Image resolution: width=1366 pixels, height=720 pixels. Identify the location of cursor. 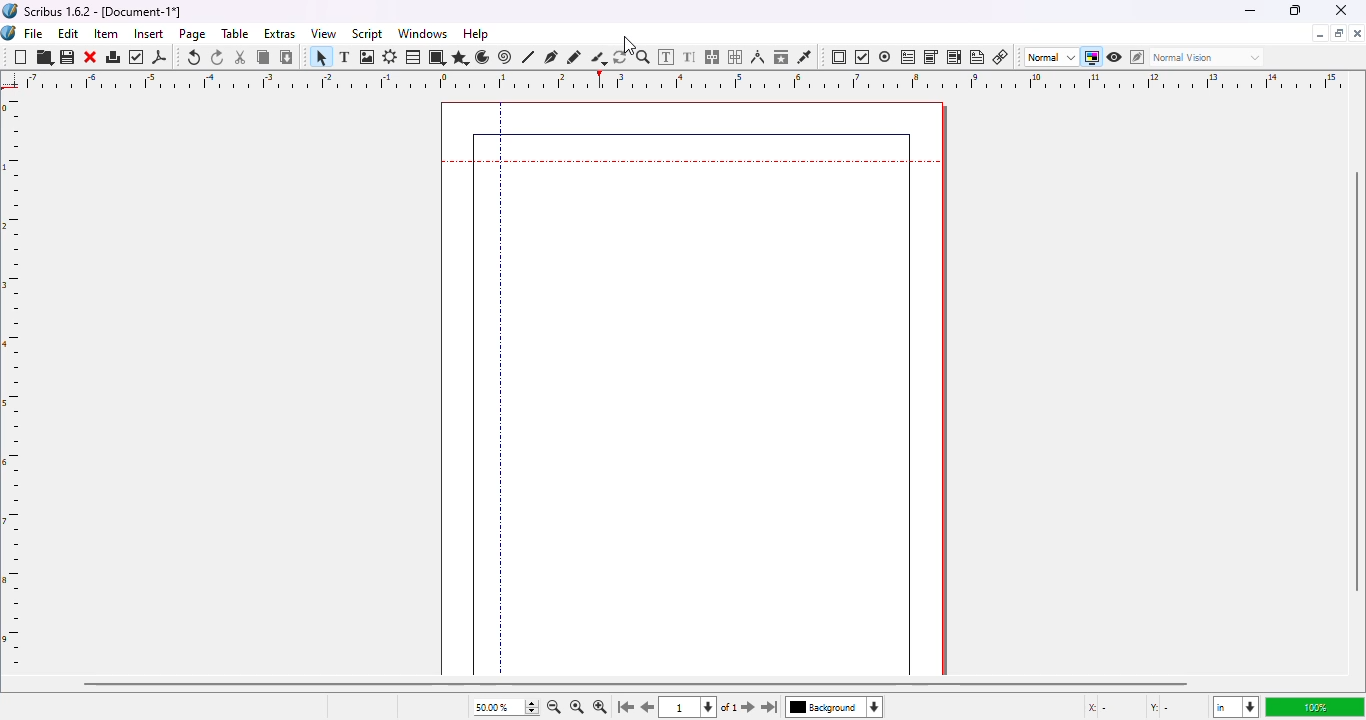
(632, 42).